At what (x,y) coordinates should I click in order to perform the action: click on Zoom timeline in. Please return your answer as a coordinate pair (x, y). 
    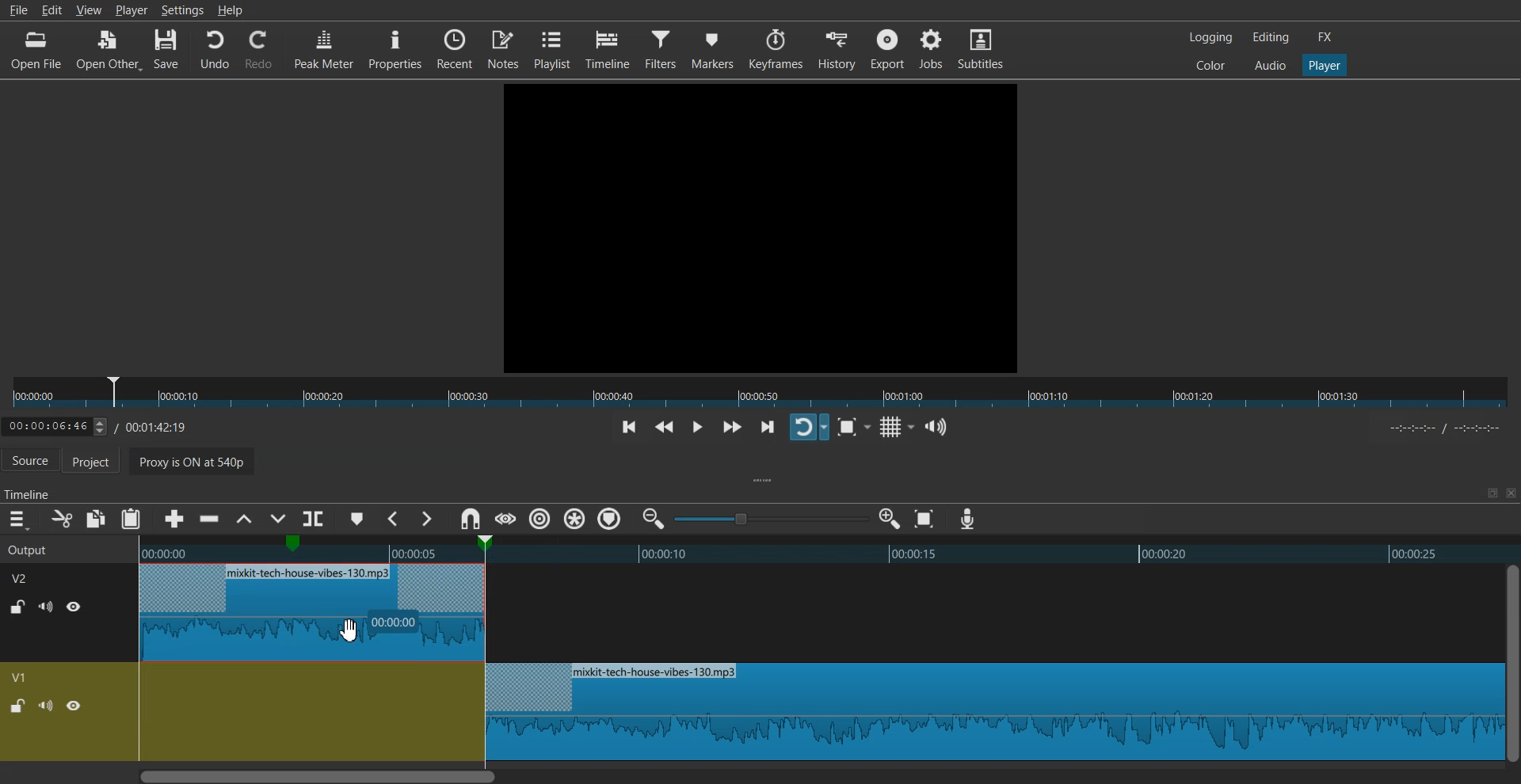
    Looking at the image, I should click on (889, 519).